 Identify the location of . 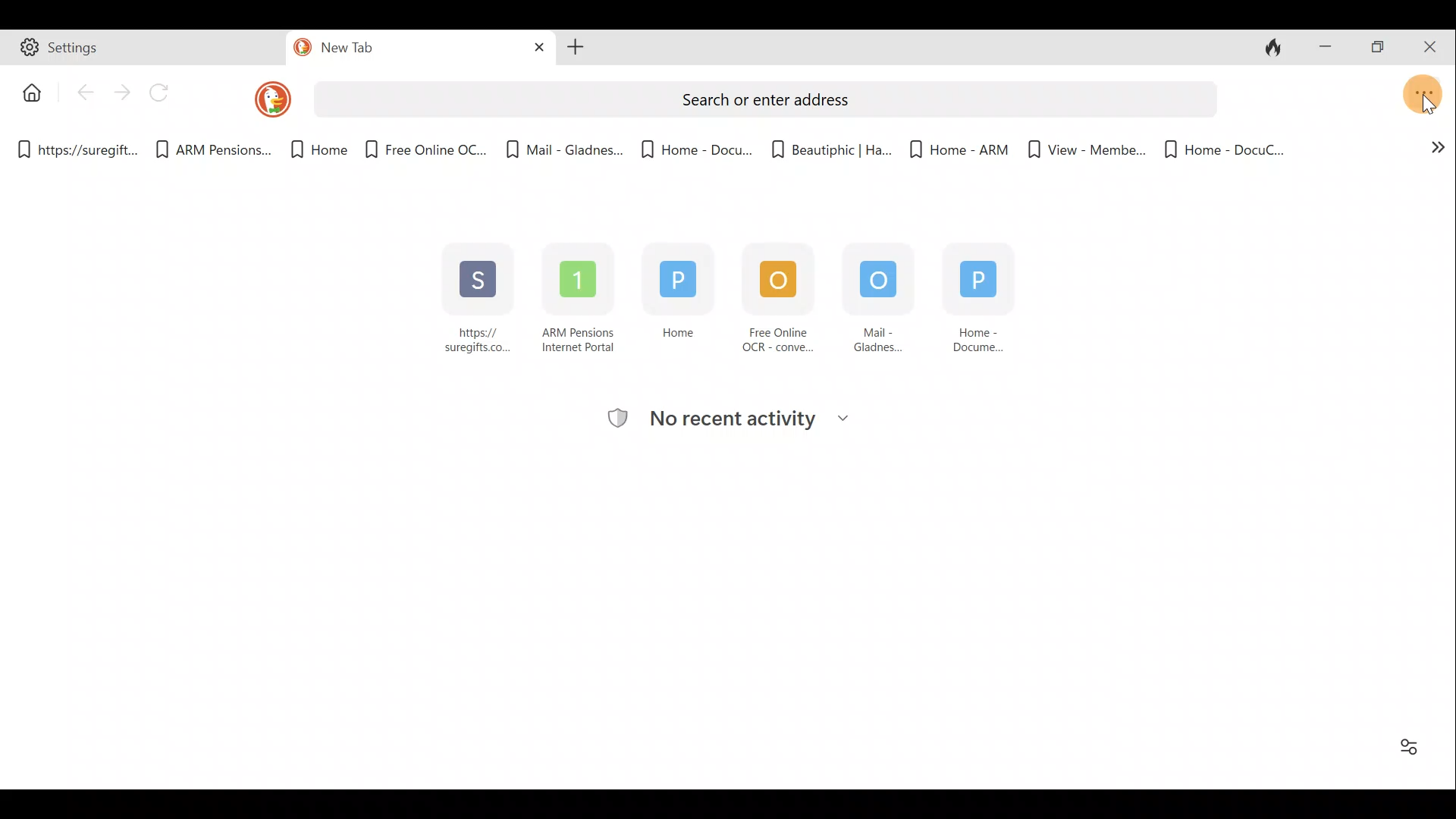
(36, 92).